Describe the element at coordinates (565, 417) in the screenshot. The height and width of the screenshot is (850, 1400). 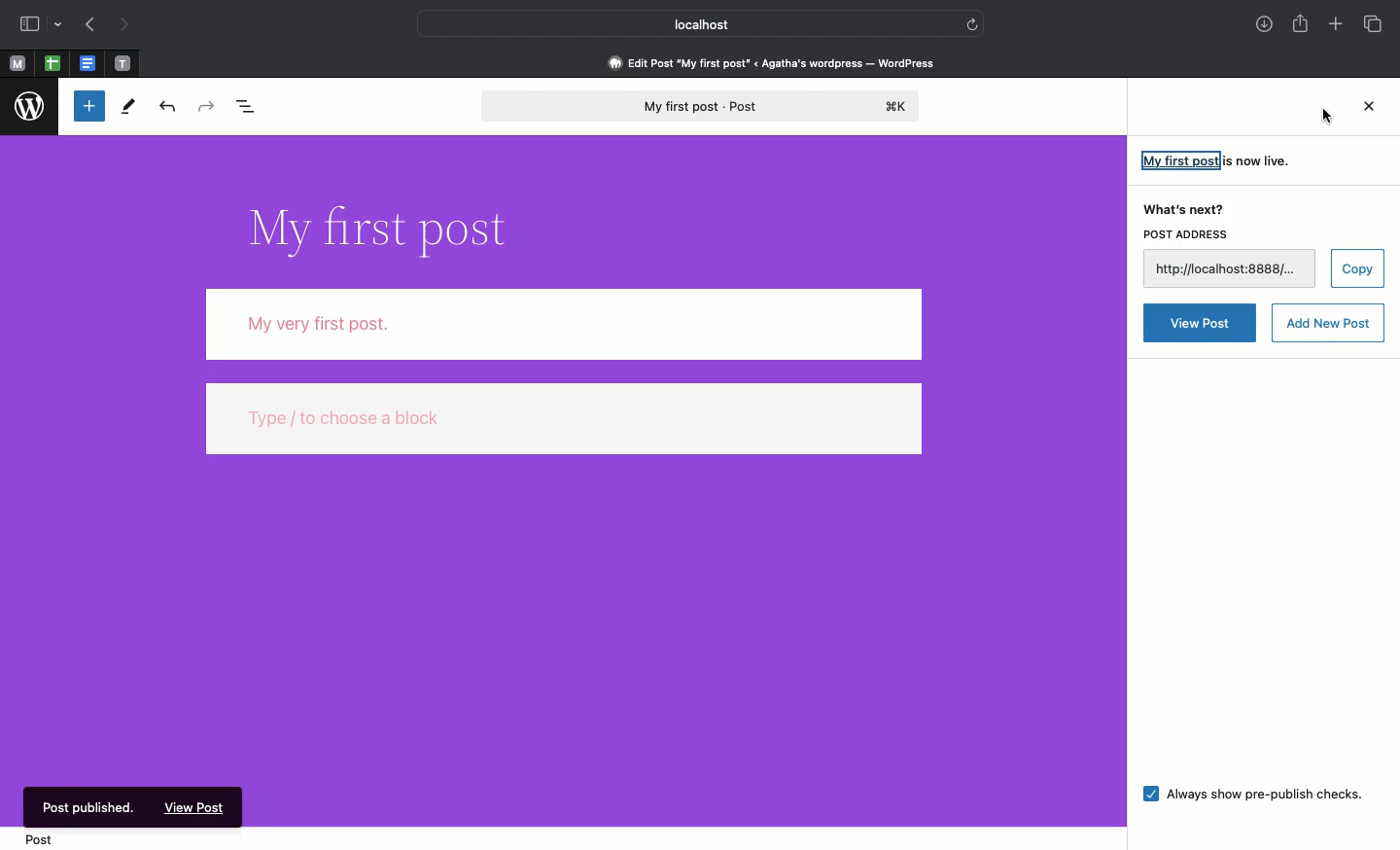
I see `type / to choose a block` at that location.